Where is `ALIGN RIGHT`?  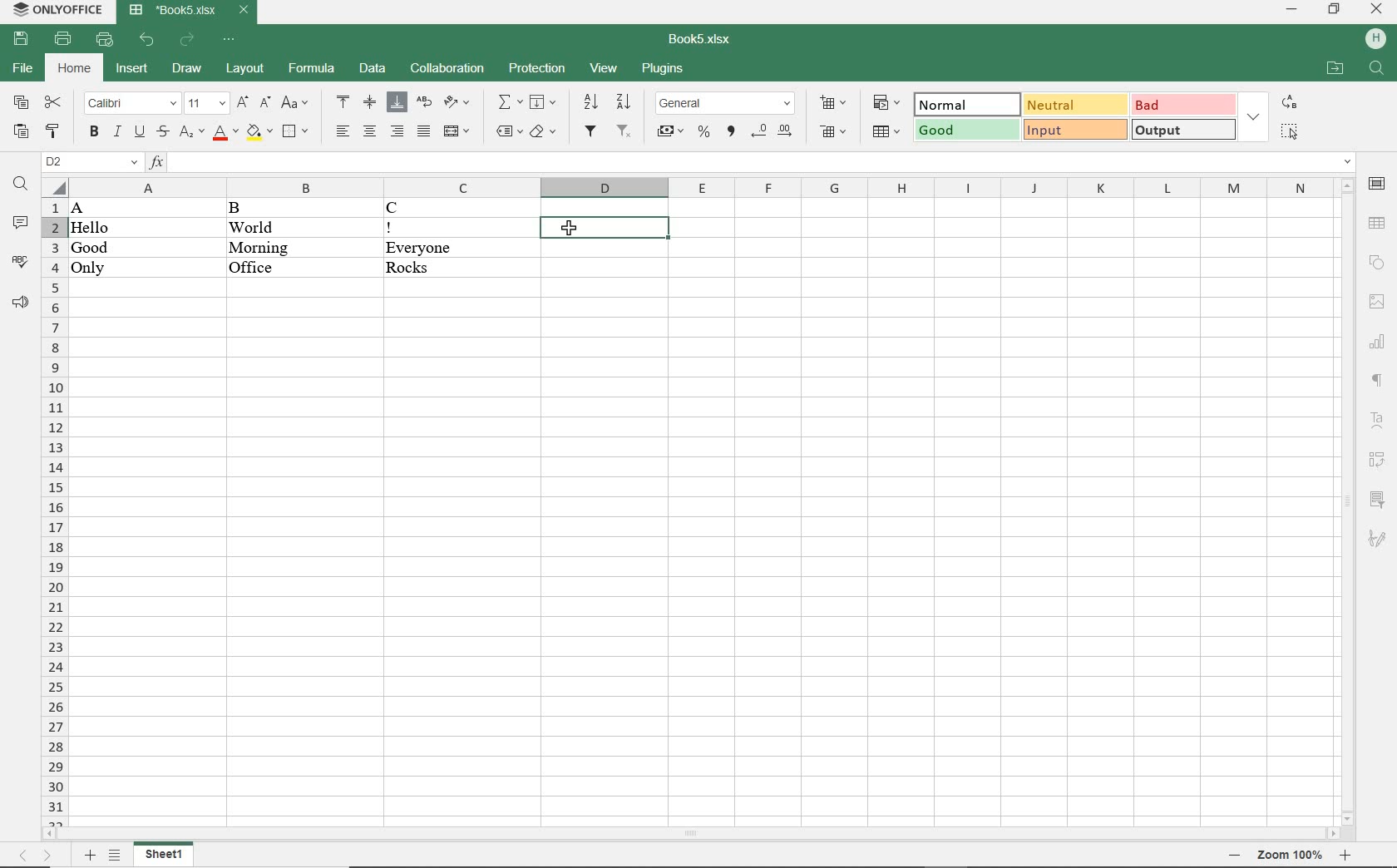 ALIGN RIGHT is located at coordinates (398, 132).